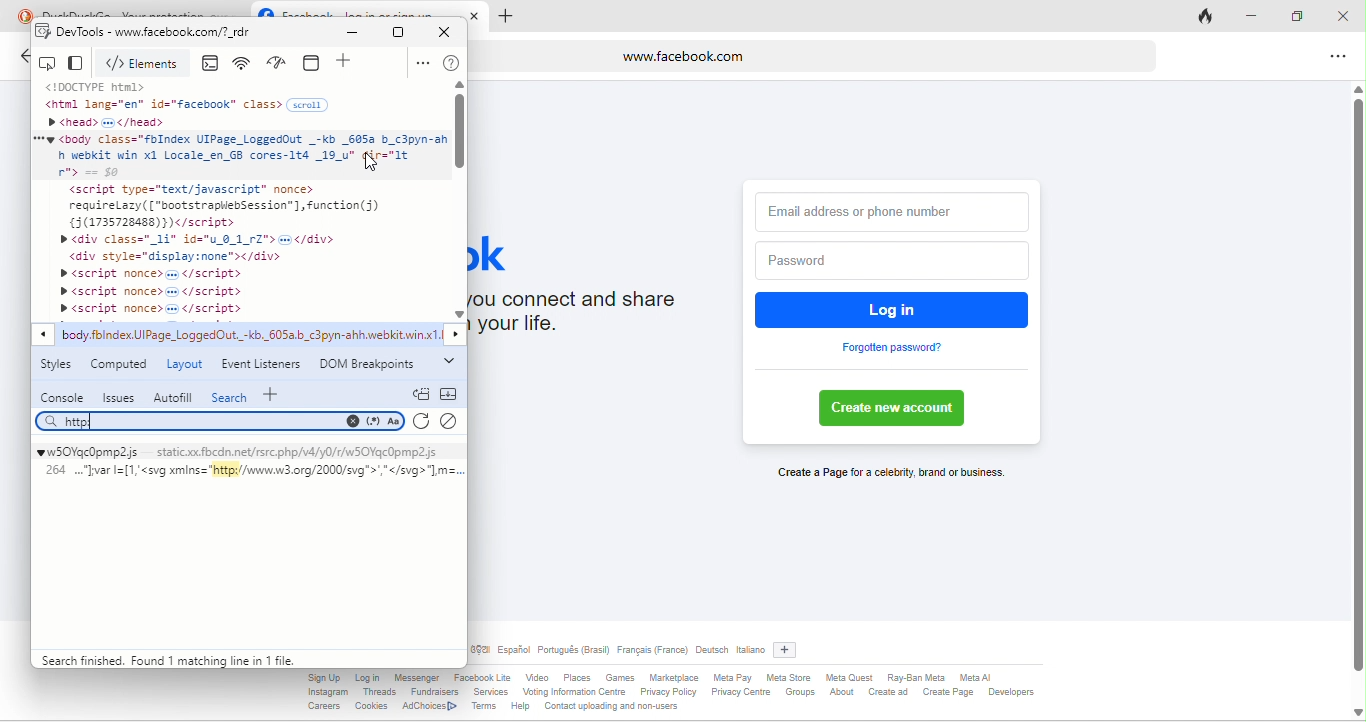  What do you see at coordinates (450, 31) in the screenshot?
I see `close` at bounding box center [450, 31].